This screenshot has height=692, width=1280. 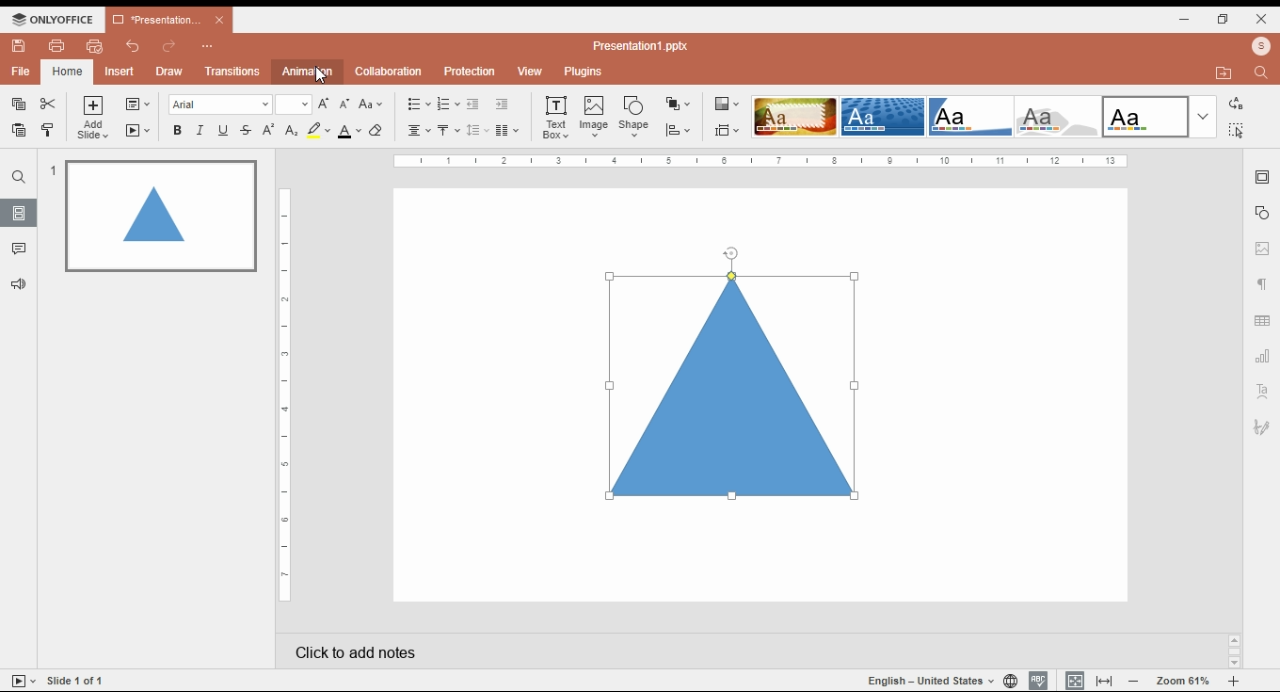 What do you see at coordinates (1262, 46) in the screenshot?
I see `profile` at bounding box center [1262, 46].